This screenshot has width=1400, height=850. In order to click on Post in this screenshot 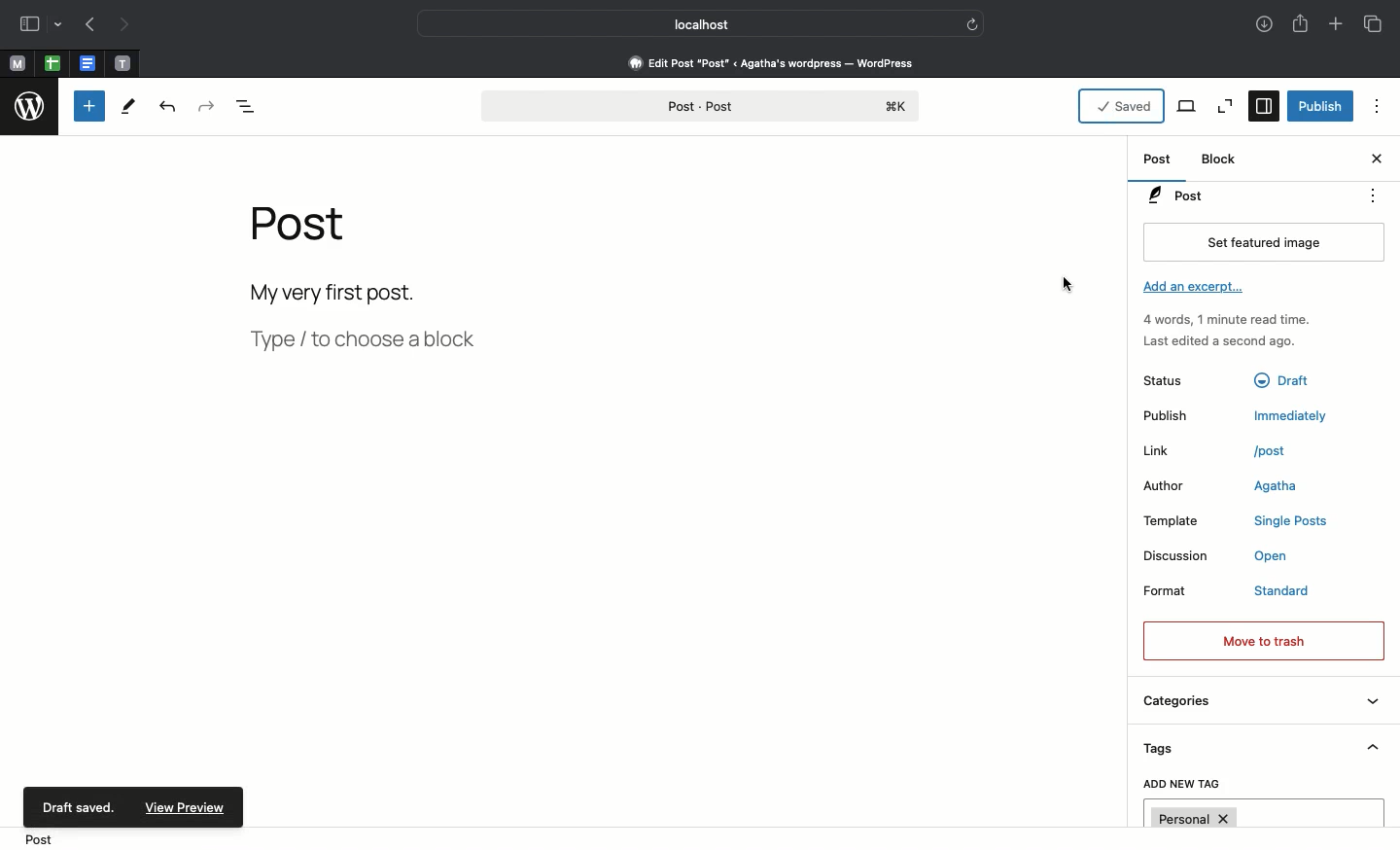, I will do `click(1240, 195)`.